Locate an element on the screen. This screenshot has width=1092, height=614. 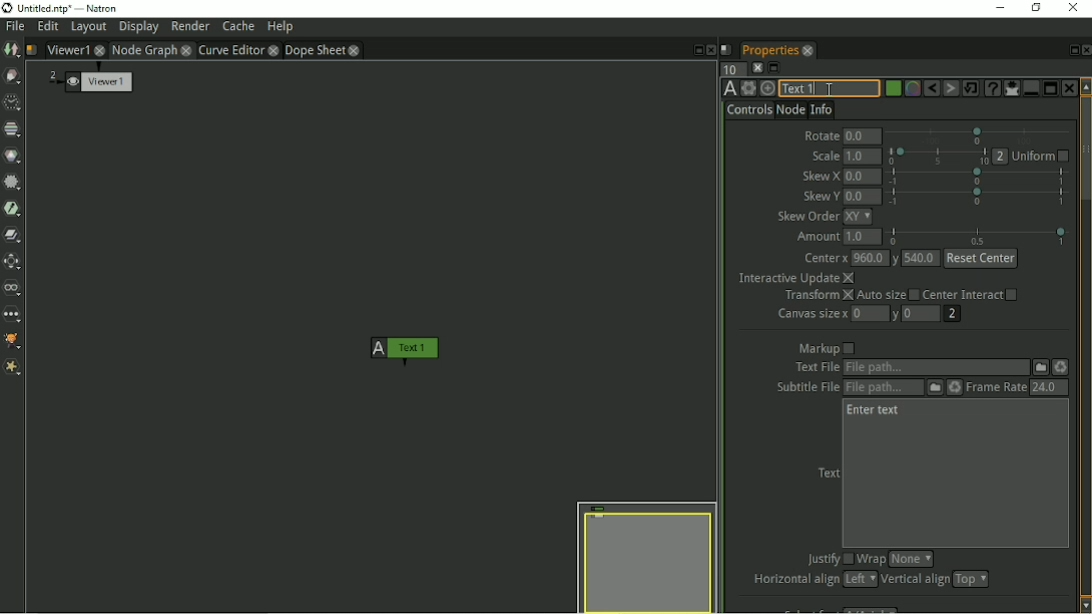
0 is located at coordinates (868, 313).